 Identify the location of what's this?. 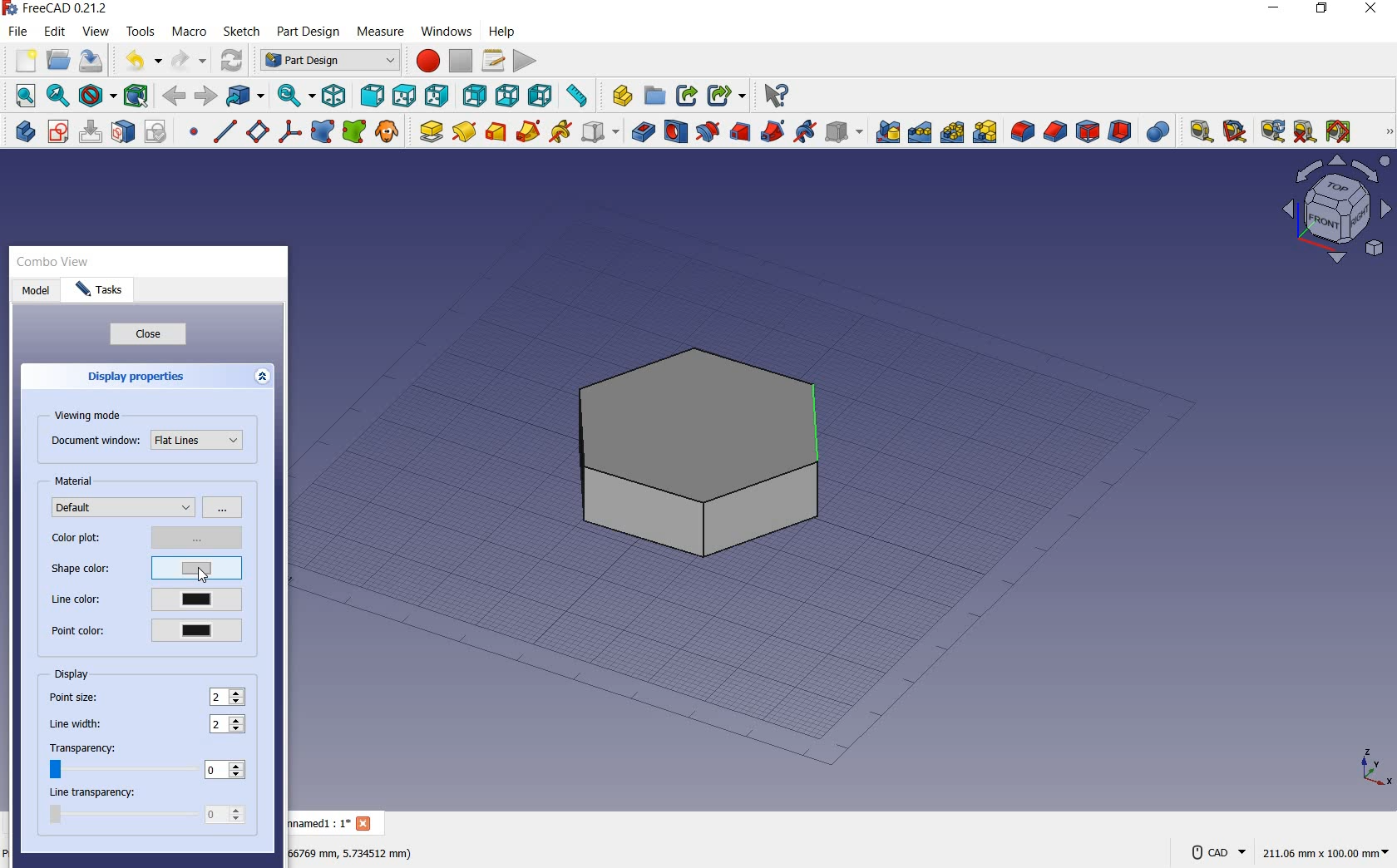
(775, 96).